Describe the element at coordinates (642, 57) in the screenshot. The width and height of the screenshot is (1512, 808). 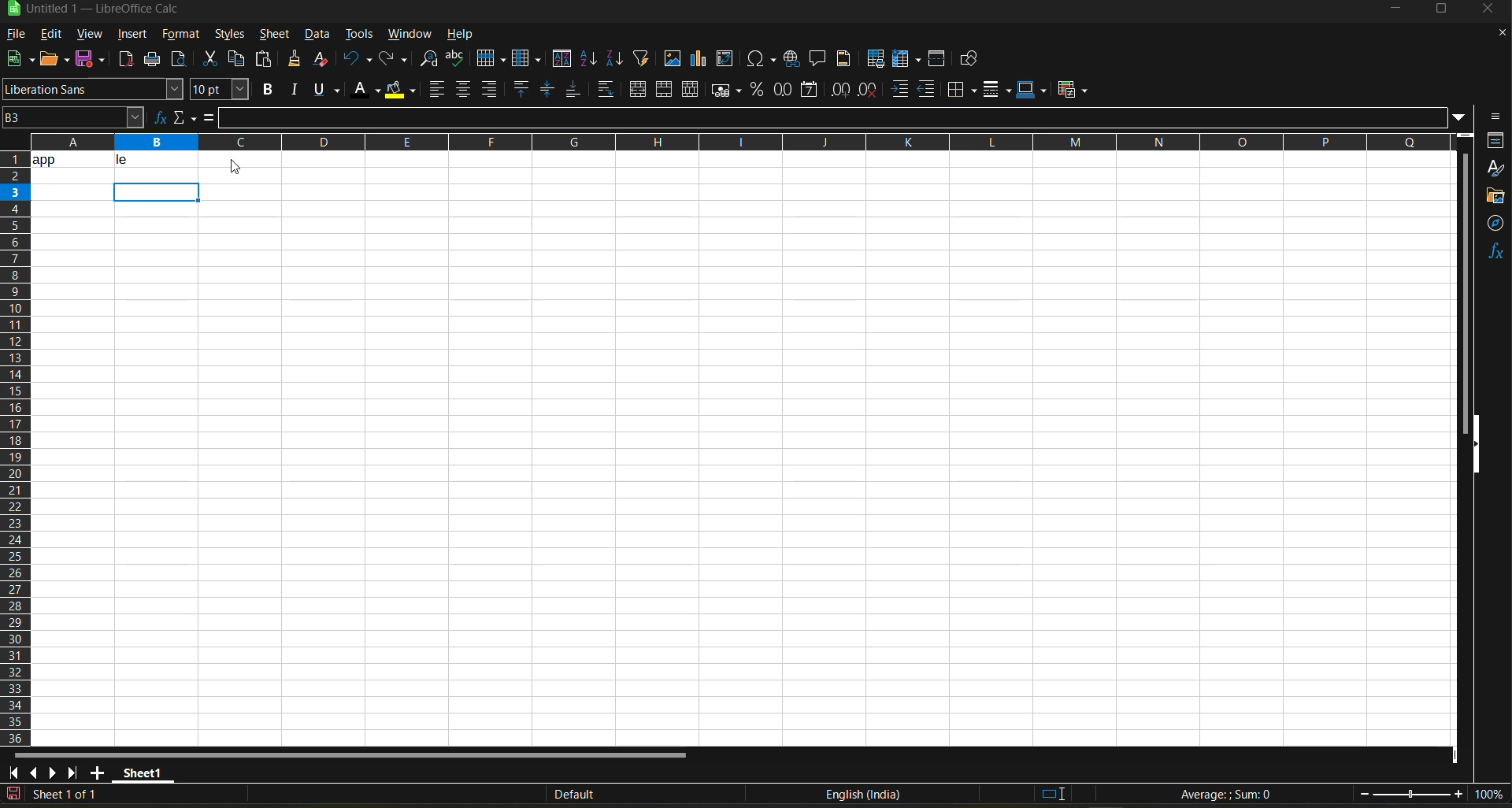
I see `autofilter` at that location.